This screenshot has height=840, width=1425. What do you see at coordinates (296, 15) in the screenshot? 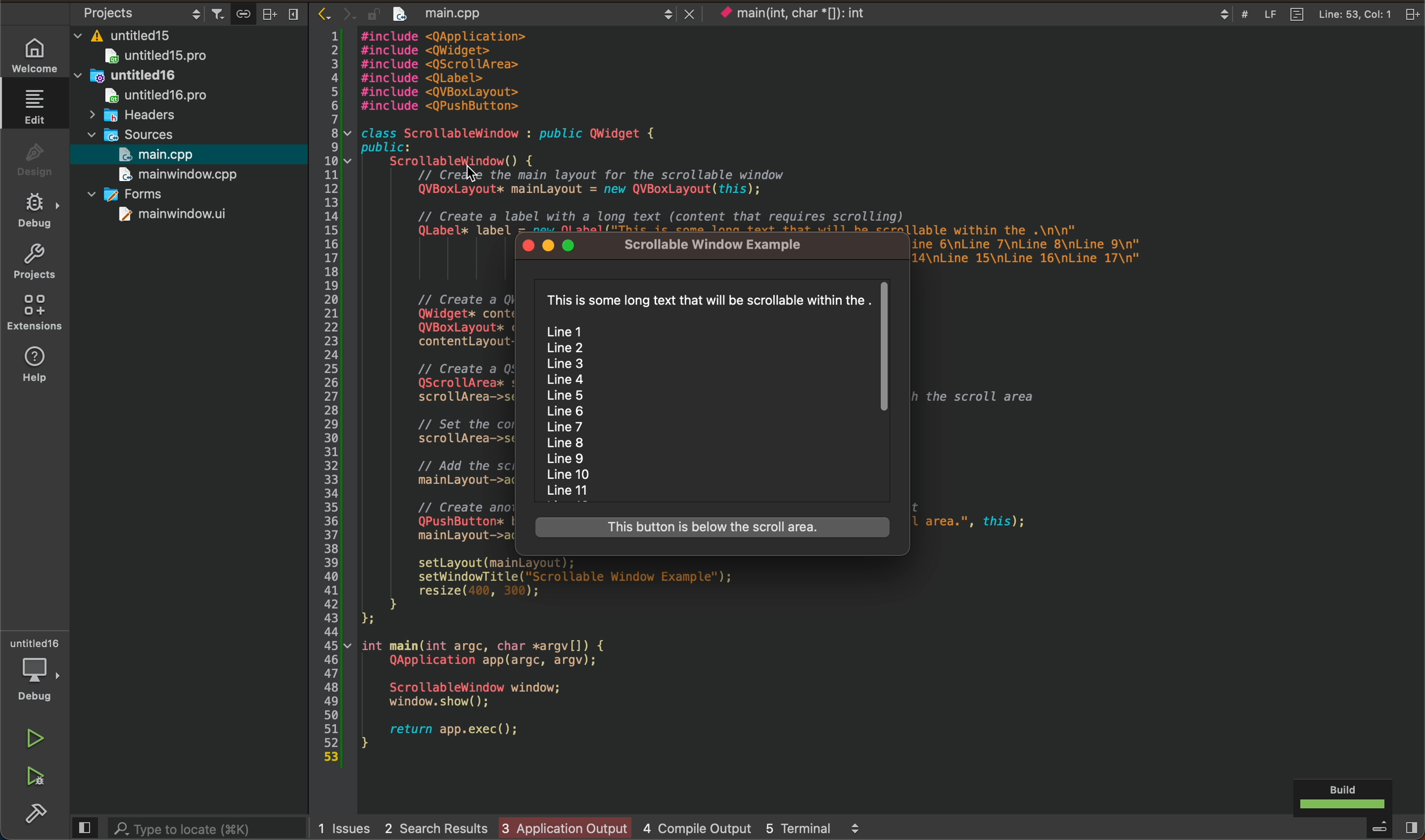
I see `close` at bounding box center [296, 15].